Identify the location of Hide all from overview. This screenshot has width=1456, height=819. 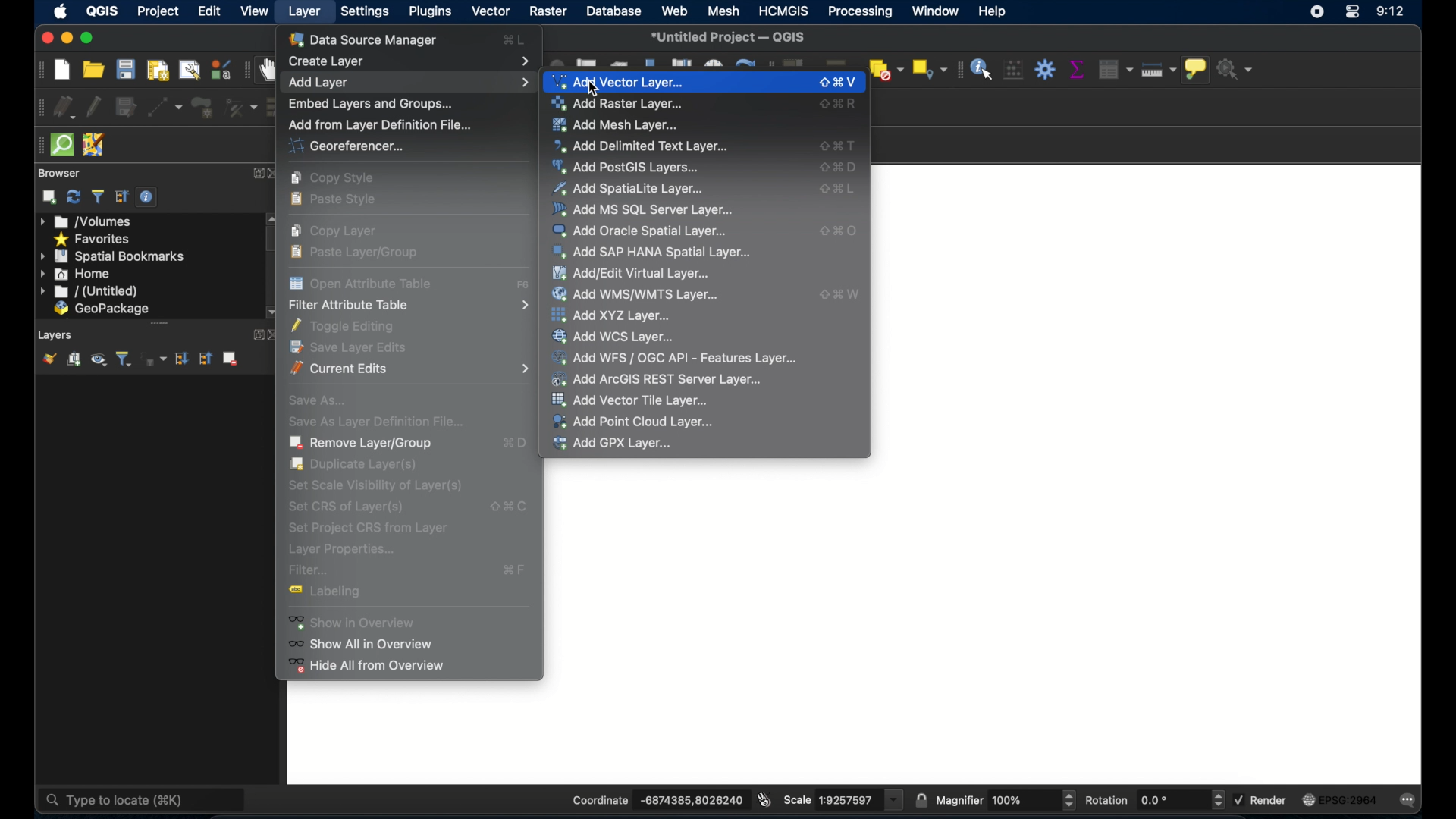
(370, 667).